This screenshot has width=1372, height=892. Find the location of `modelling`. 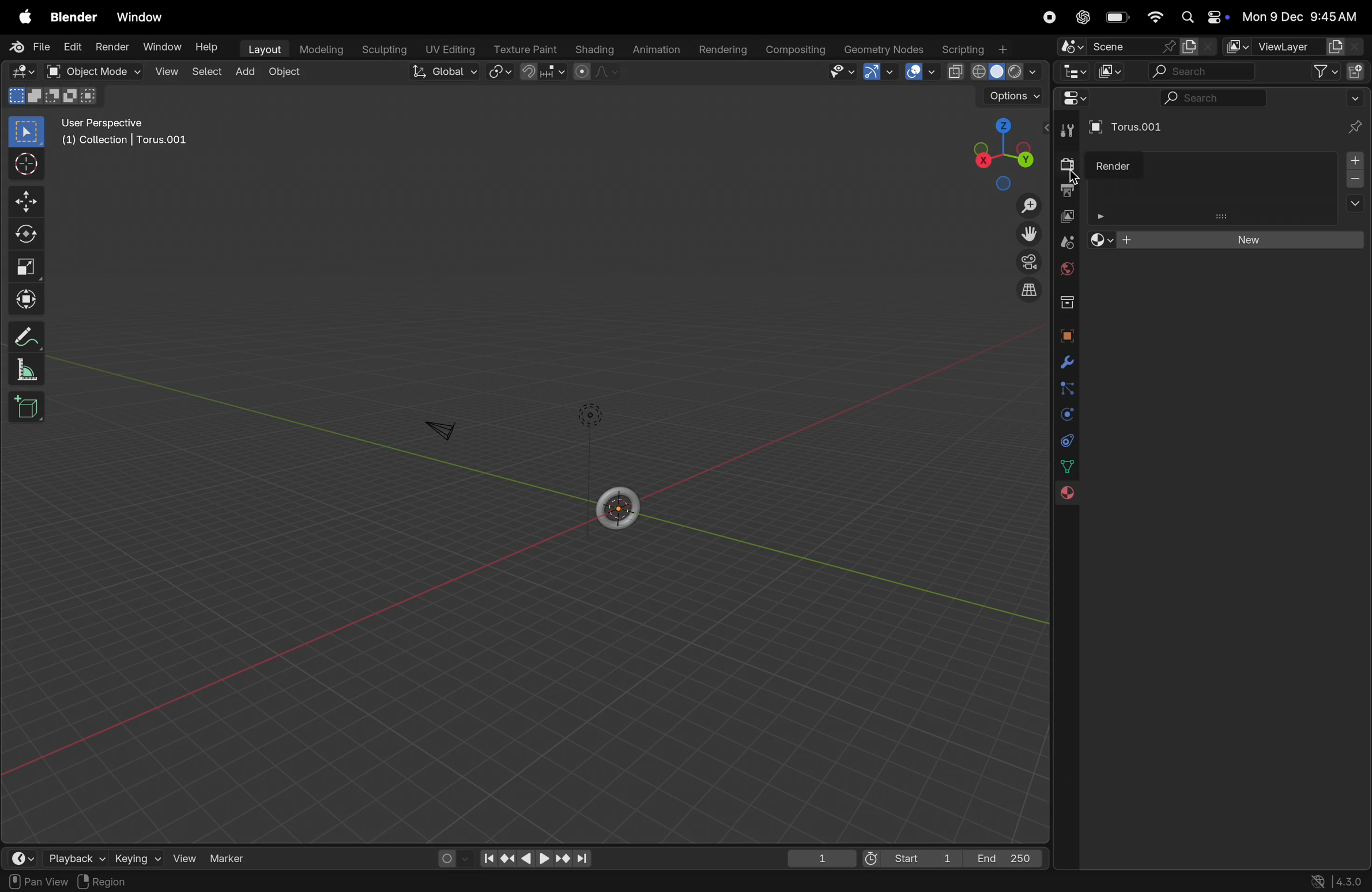

modelling is located at coordinates (321, 50).